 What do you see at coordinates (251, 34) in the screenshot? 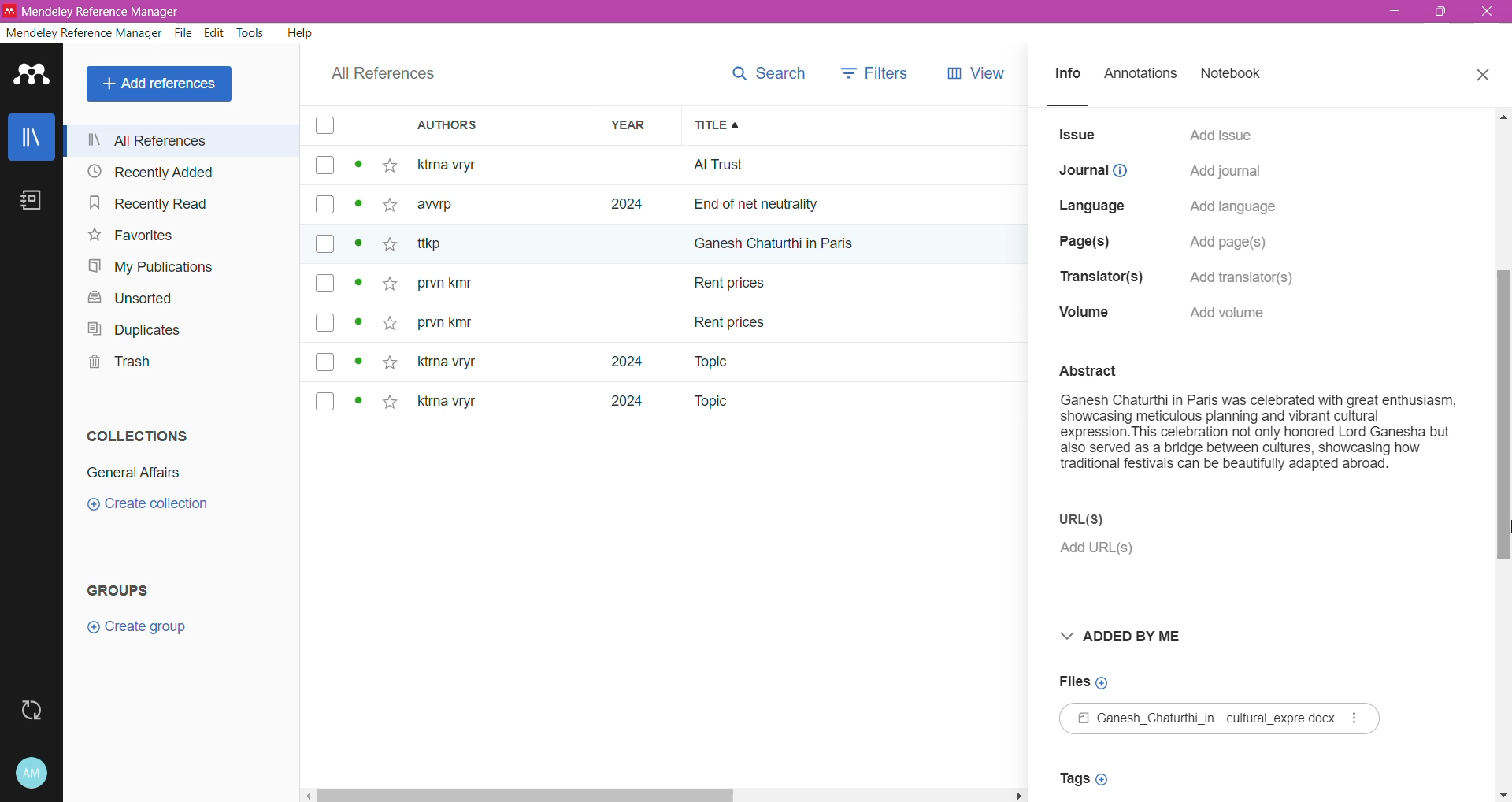
I see `Tools` at bounding box center [251, 34].